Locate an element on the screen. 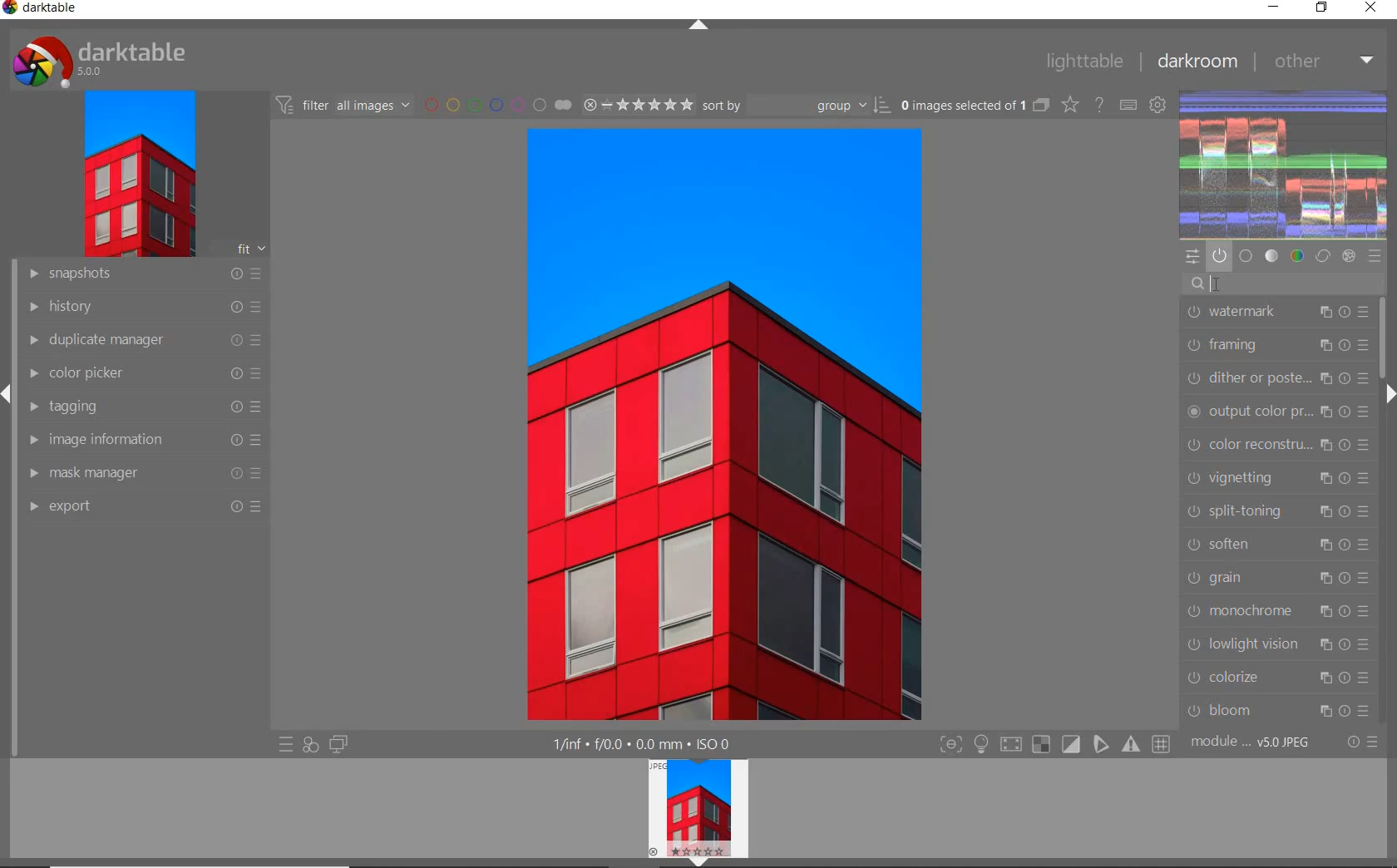  dither or paste is located at coordinates (1275, 377).